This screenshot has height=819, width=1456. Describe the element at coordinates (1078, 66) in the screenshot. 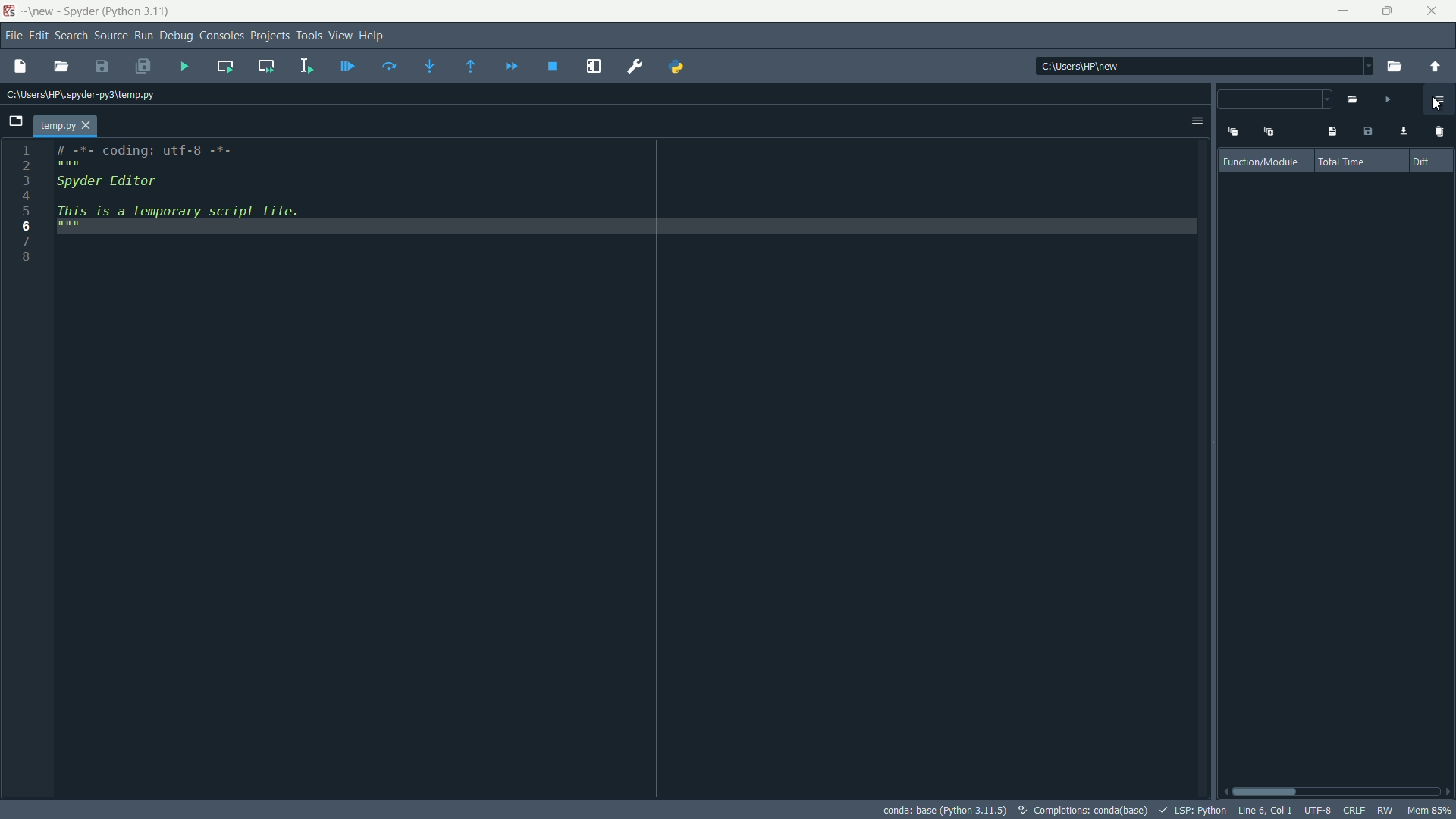

I see `c:\users\hp\new` at that location.